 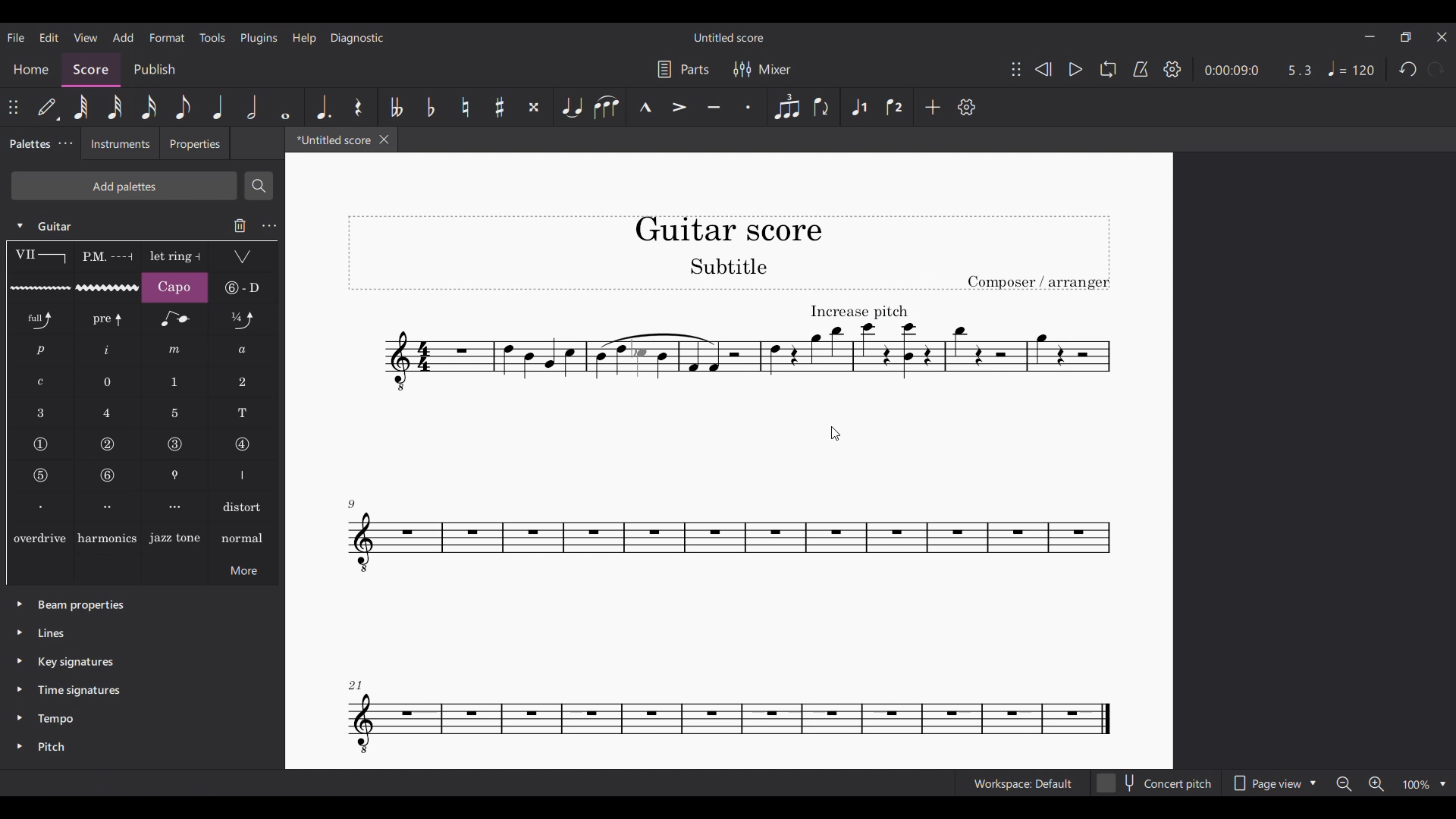 I want to click on Search, so click(x=259, y=186).